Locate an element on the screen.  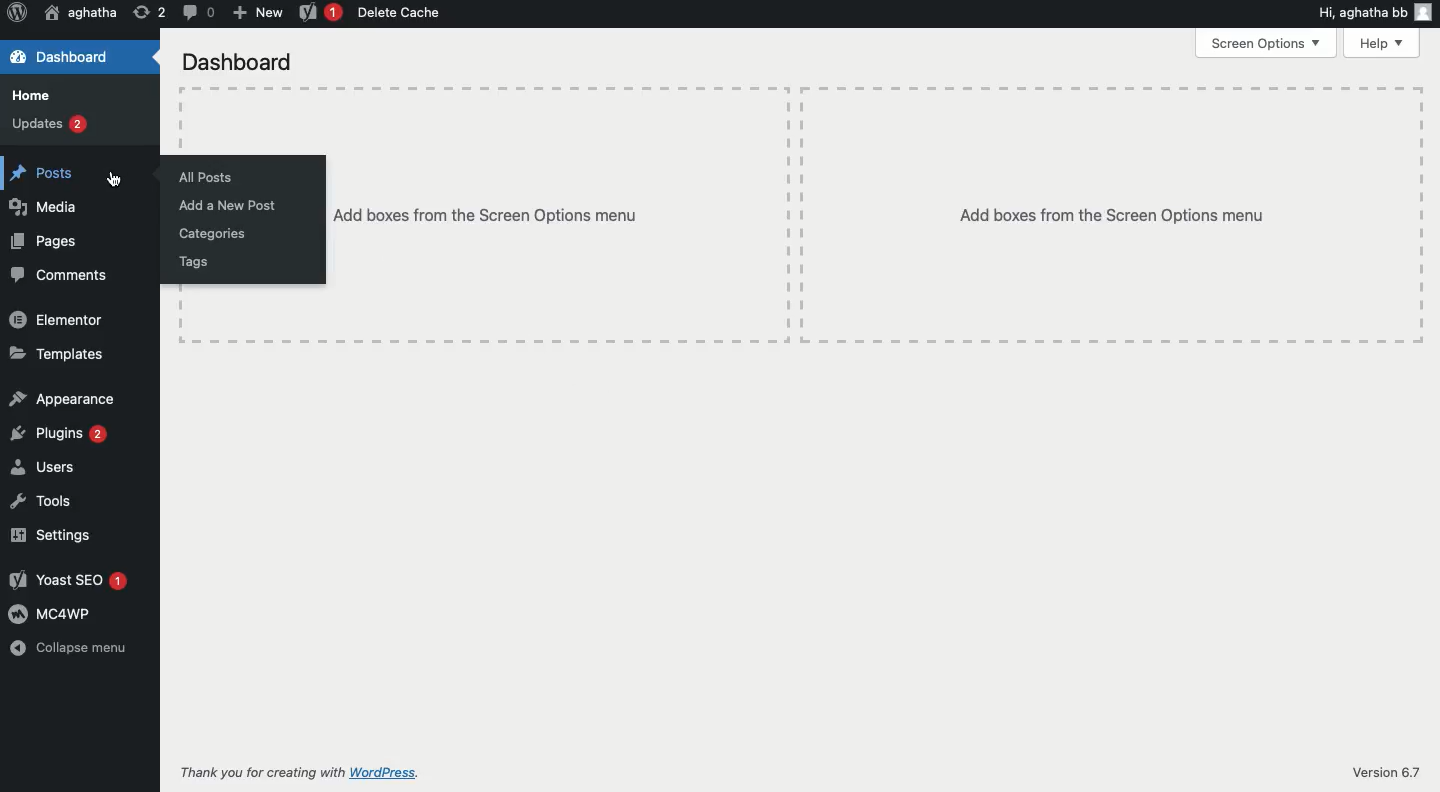
Media is located at coordinates (42, 206).